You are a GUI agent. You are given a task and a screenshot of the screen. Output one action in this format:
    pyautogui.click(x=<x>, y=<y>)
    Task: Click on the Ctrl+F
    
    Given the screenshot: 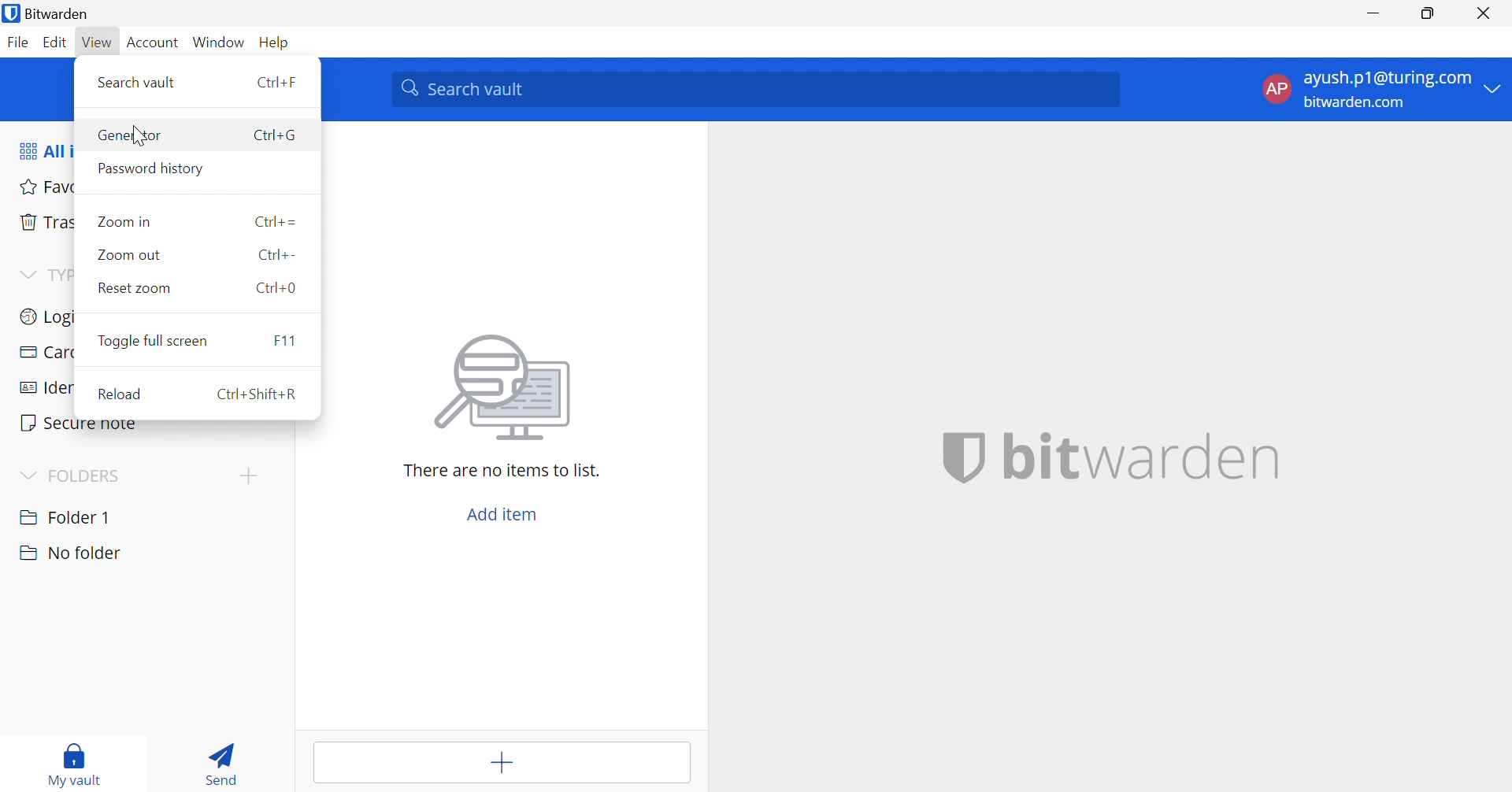 What is the action you would take?
    pyautogui.click(x=277, y=83)
    